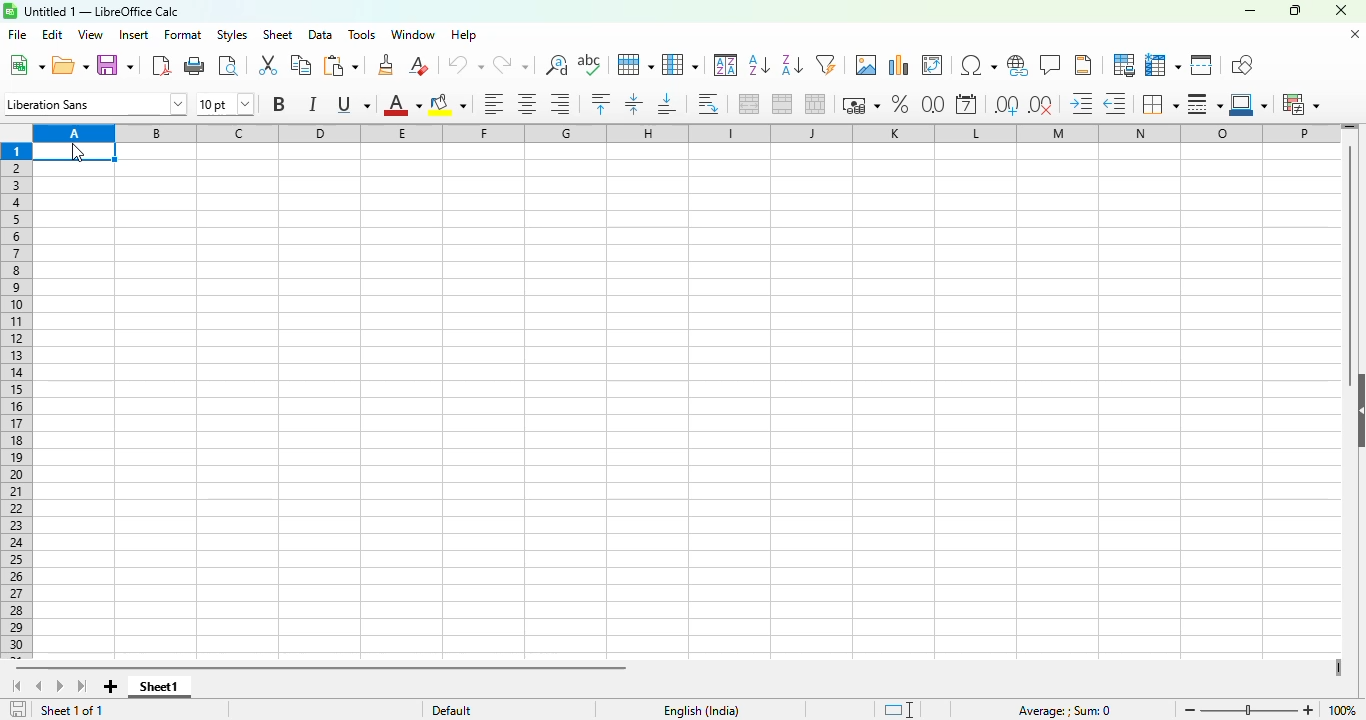 This screenshot has height=720, width=1366. What do you see at coordinates (1340, 10) in the screenshot?
I see `close` at bounding box center [1340, 10].